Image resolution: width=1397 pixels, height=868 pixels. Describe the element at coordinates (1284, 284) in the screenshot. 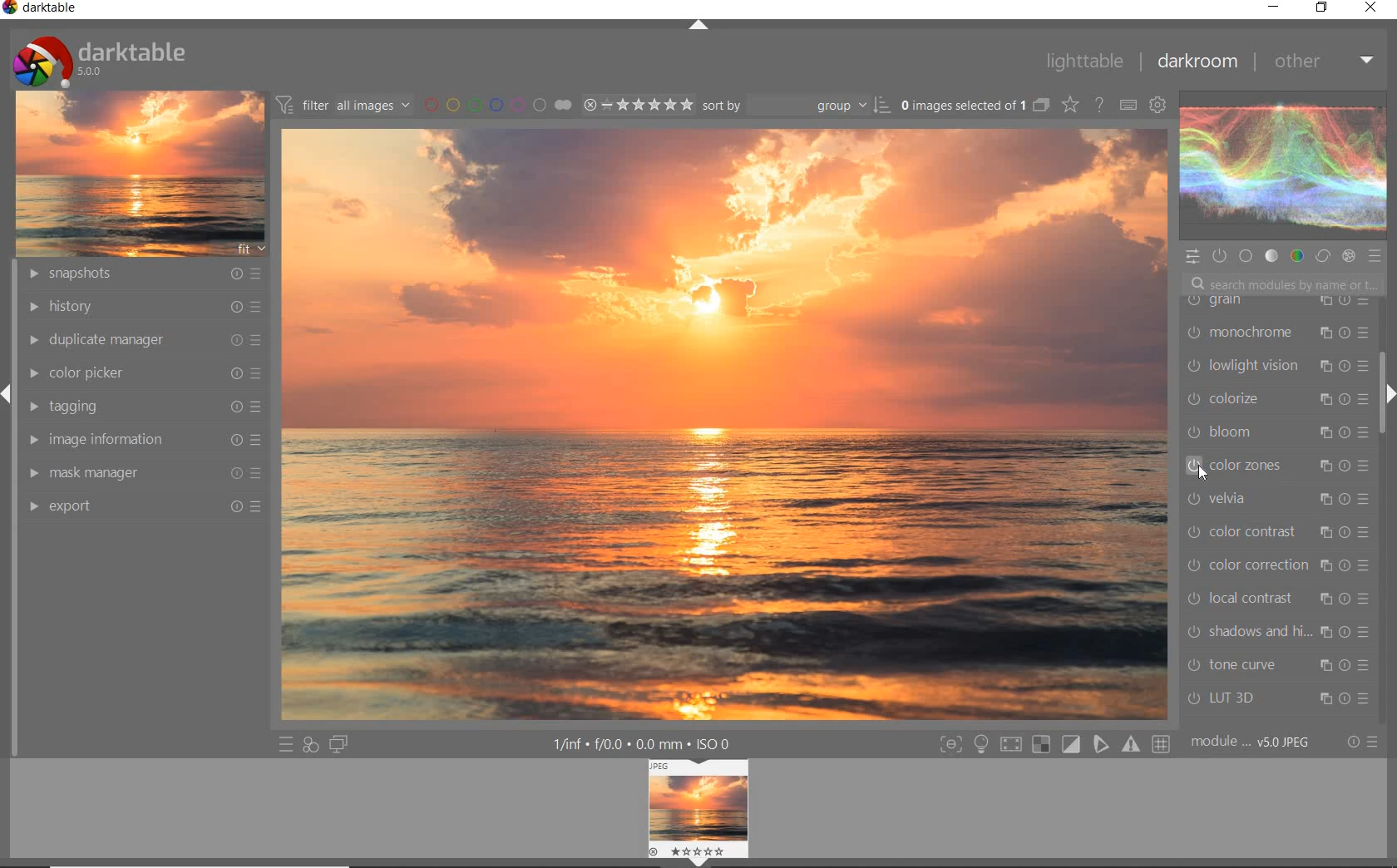

I see `SEARCH MODULES` at that location.